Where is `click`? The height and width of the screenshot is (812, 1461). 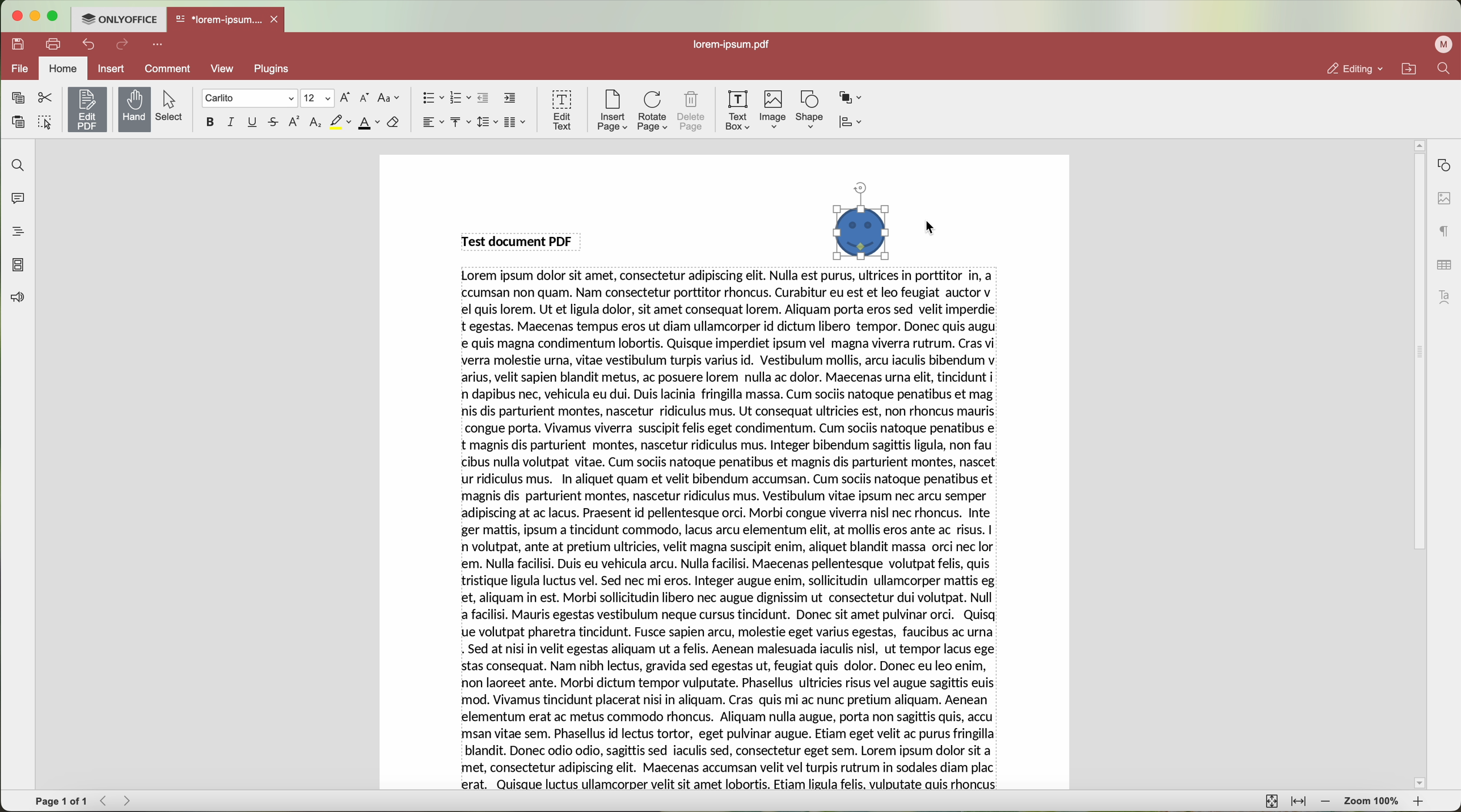 click is located at coordinates (934, 228).